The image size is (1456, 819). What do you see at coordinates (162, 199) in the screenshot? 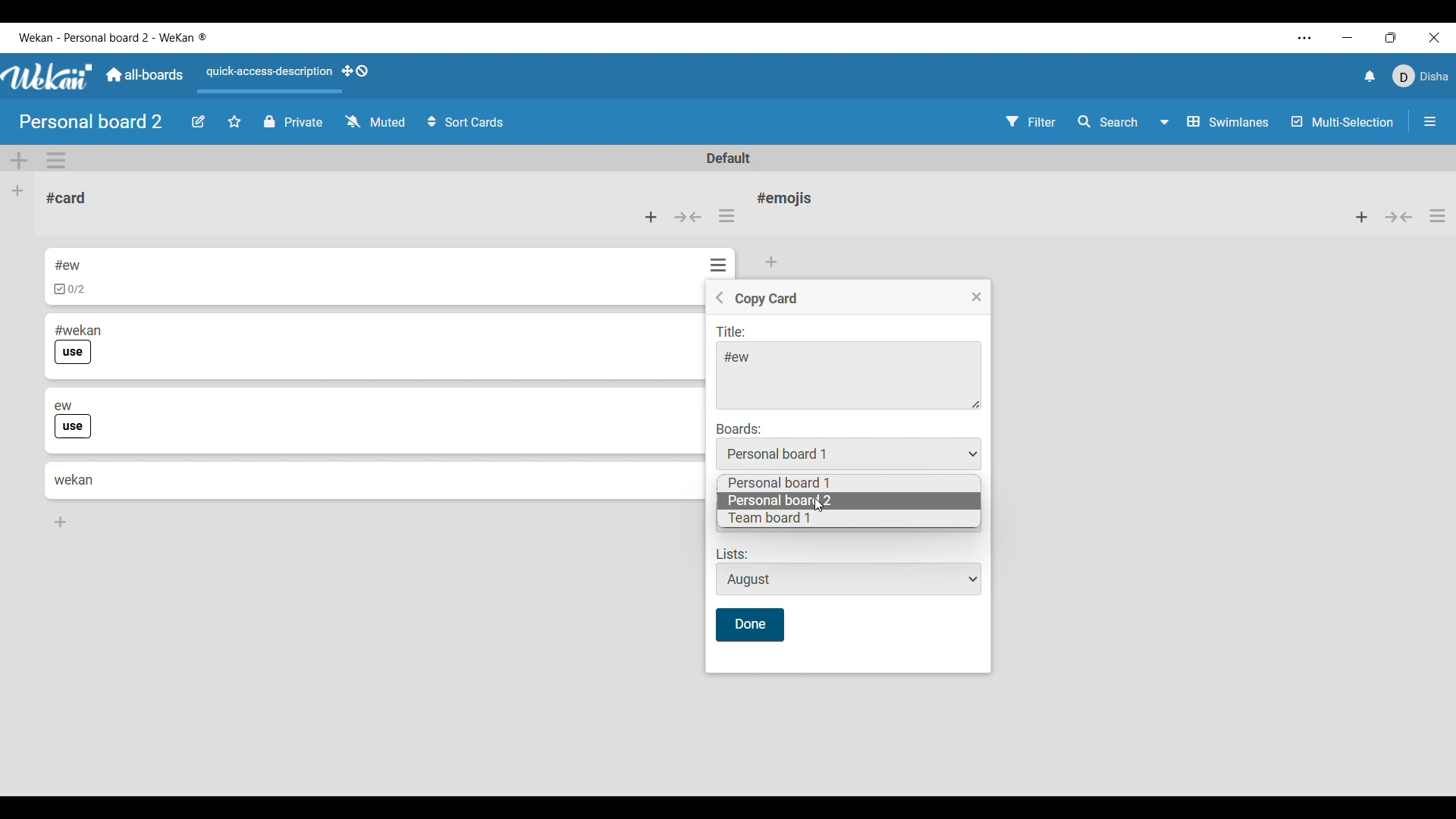
I see `Current list` at bounding box center [162, 199].